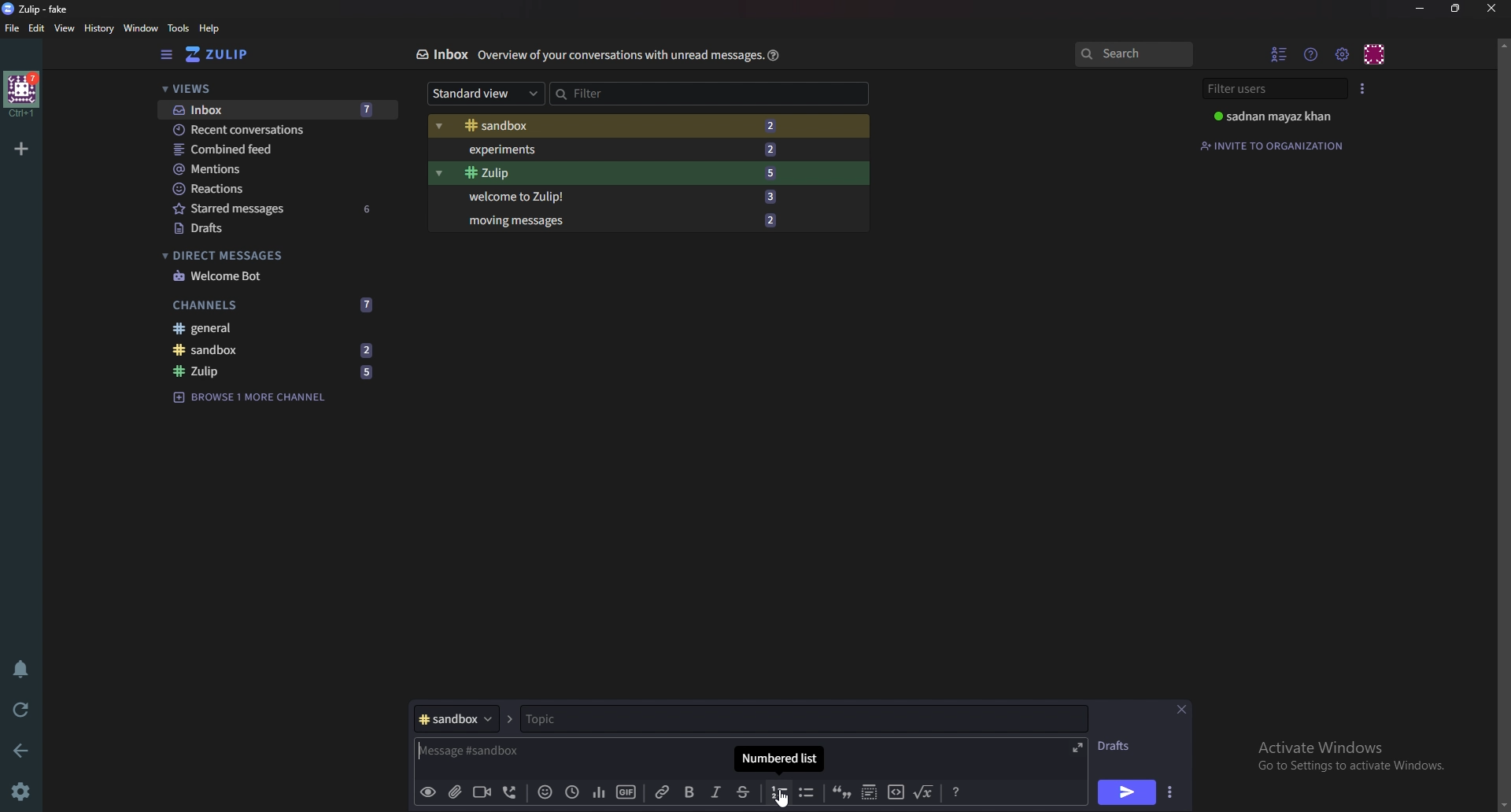  What do you see at coordinates (1273, 89) in the screenshot?
I see `Filter users` at bounding box center [1273, 89].